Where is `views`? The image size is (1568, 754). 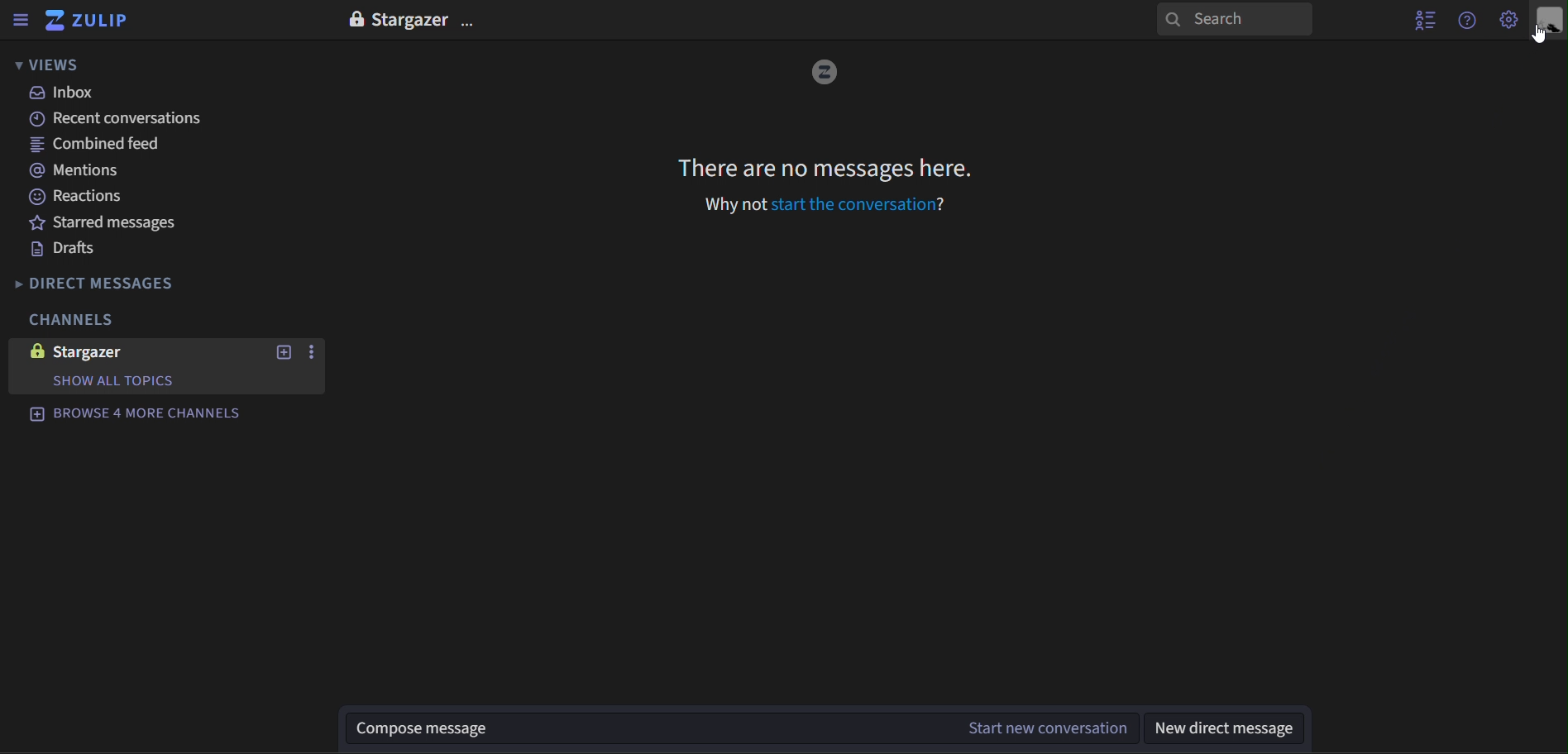
views is located at coordinates (48, 64).